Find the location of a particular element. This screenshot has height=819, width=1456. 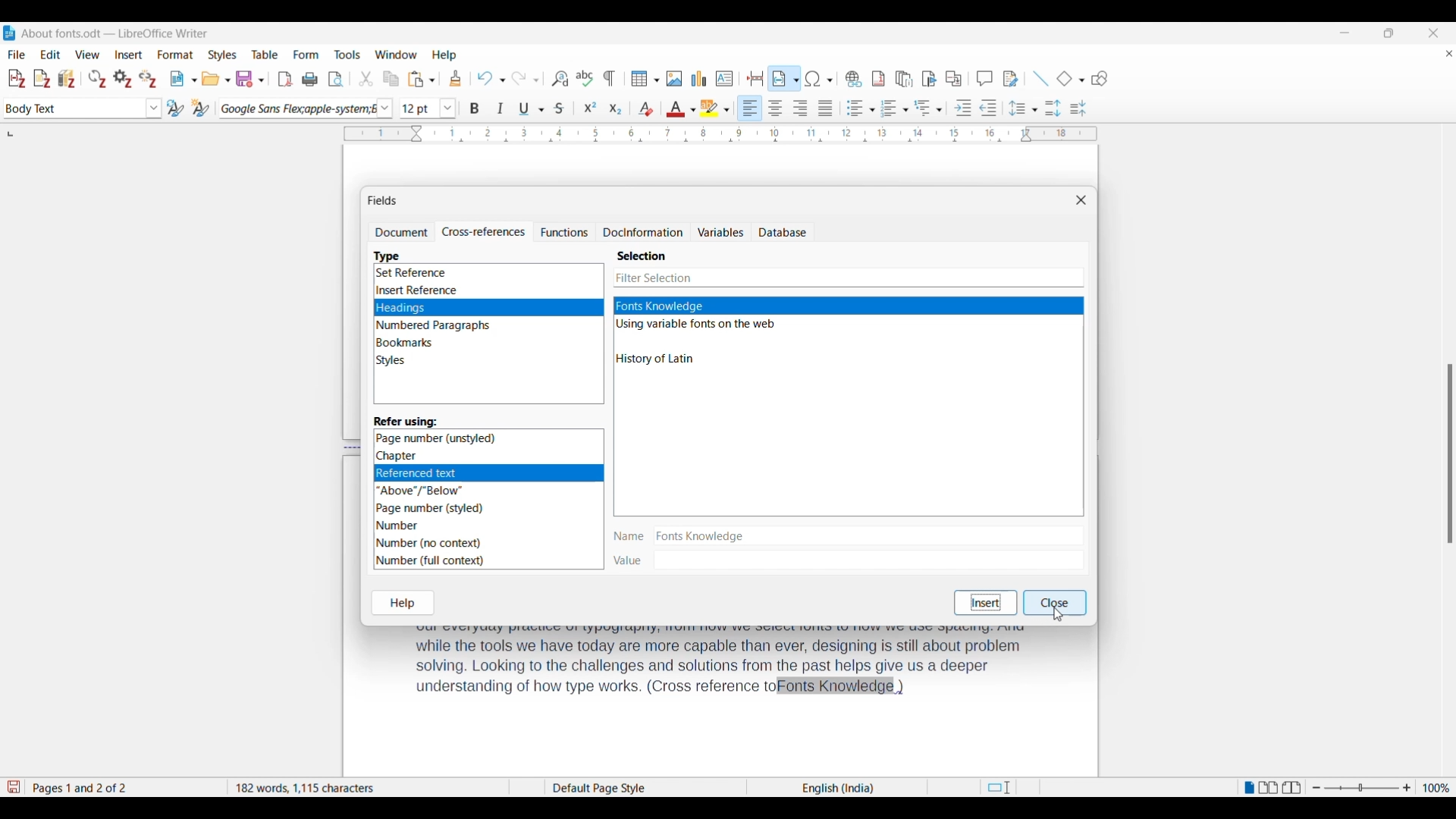

Add note is located at coordinates (42, 79).